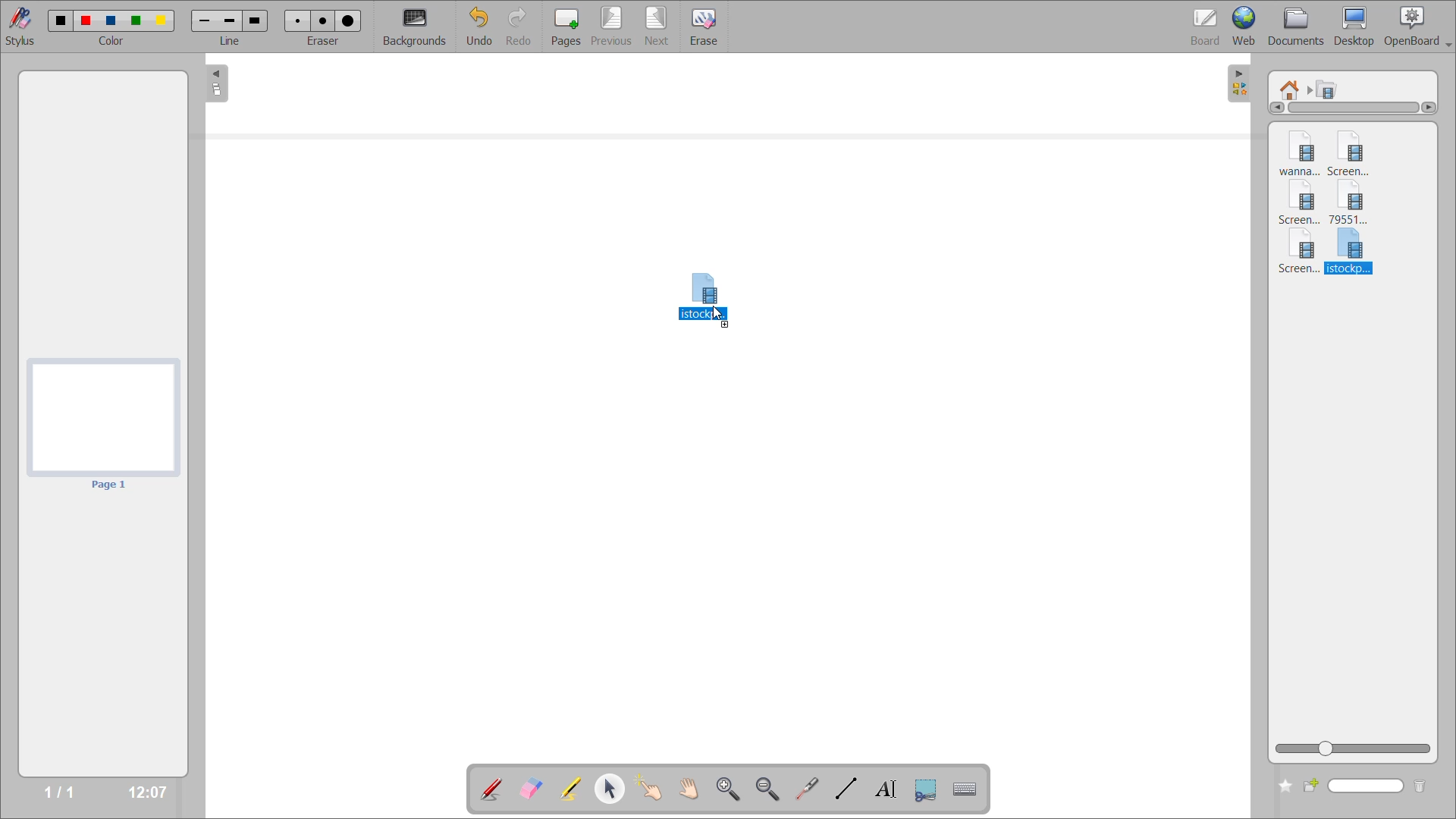 The image size is (1456, 819). What do you see at coordinates (687, 786) in the screenshot?
I see `scroll page` at bounding box center [687, 786].